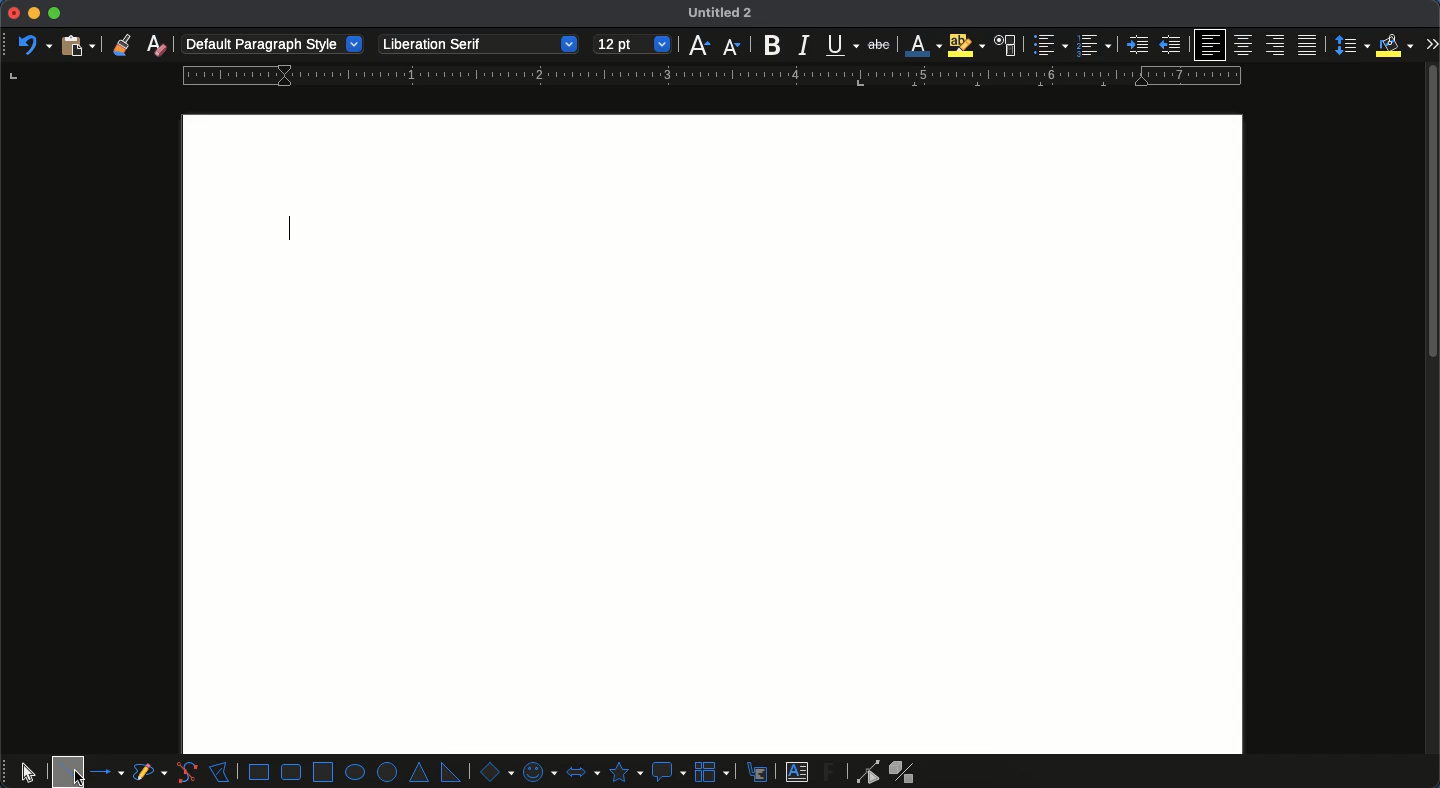 This screenshot has height=788, width=1440. I want to click on square, so click(323, 770).